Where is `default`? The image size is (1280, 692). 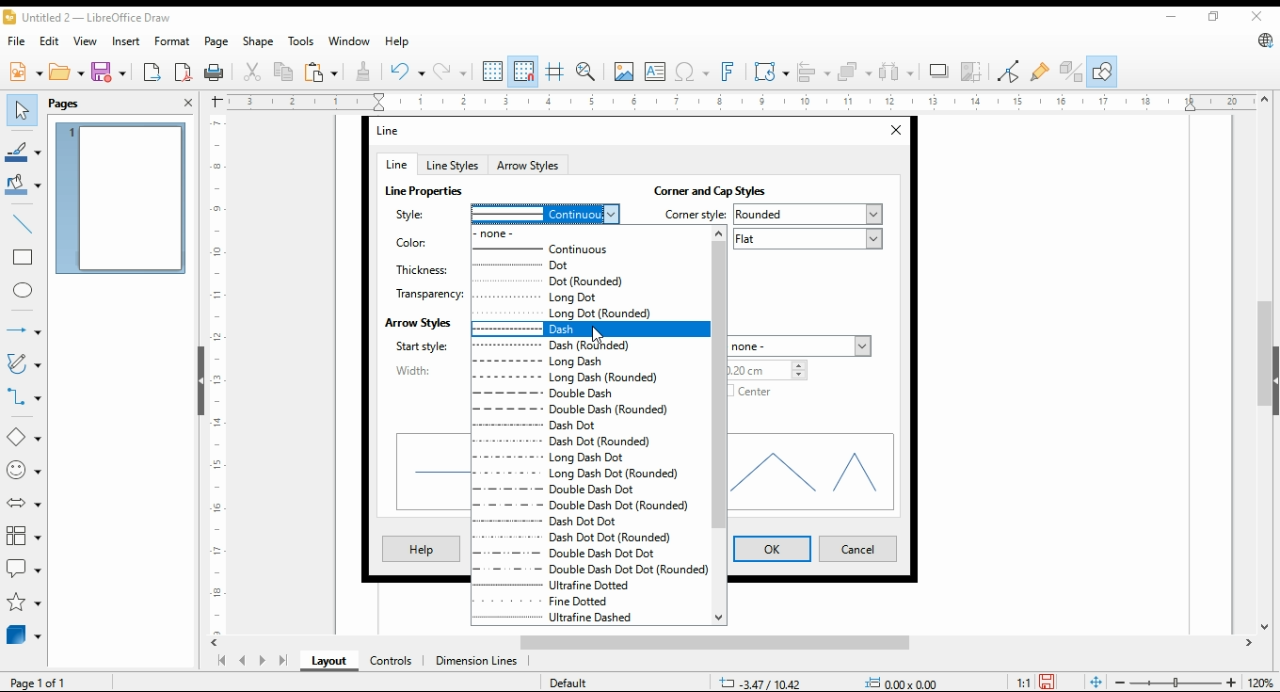 default is located at coordinates (567, 682).